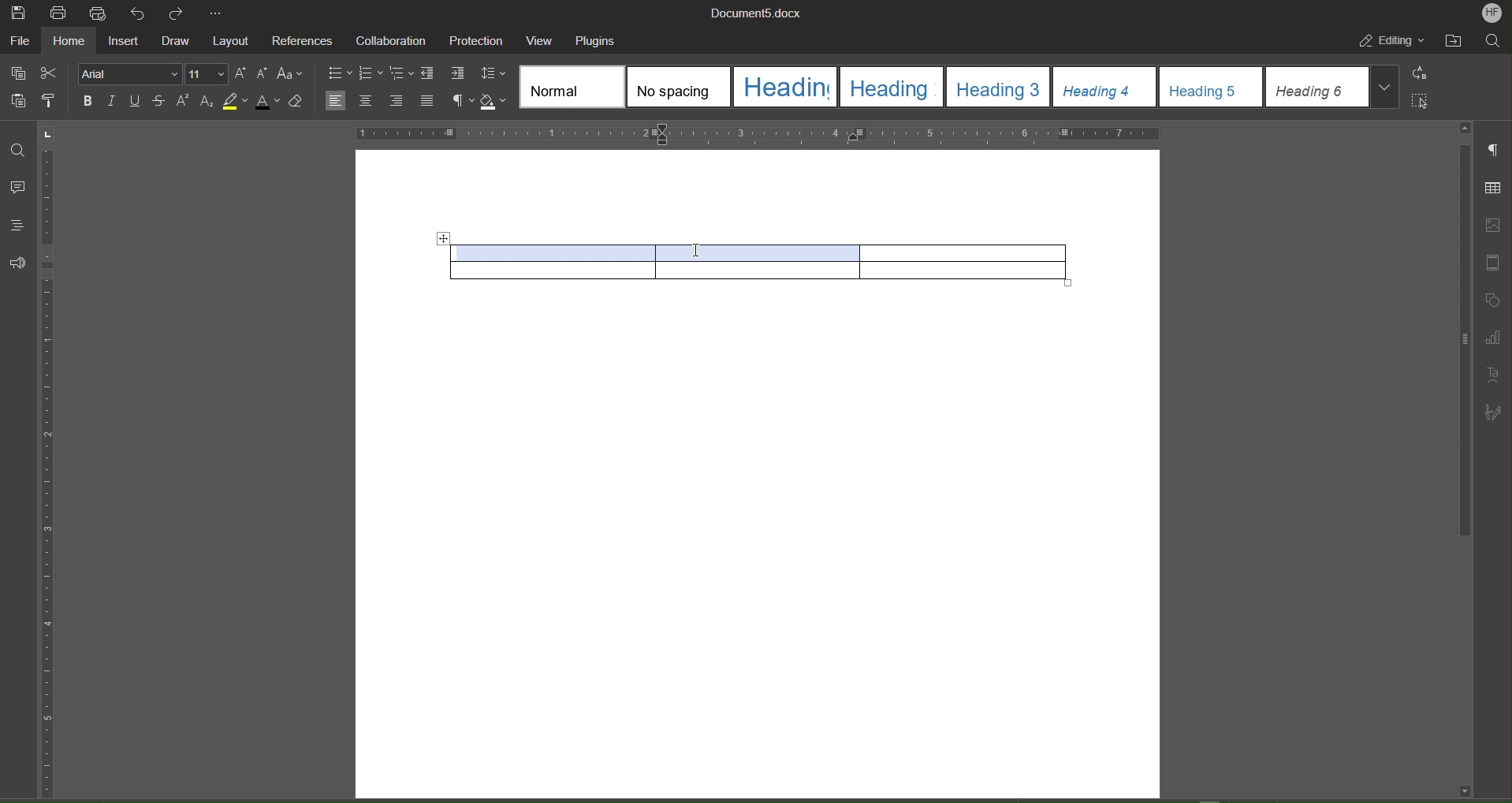  Describe the element at coordinates (1462, 342) in the screenshot. I see `scroll bar` at that location.